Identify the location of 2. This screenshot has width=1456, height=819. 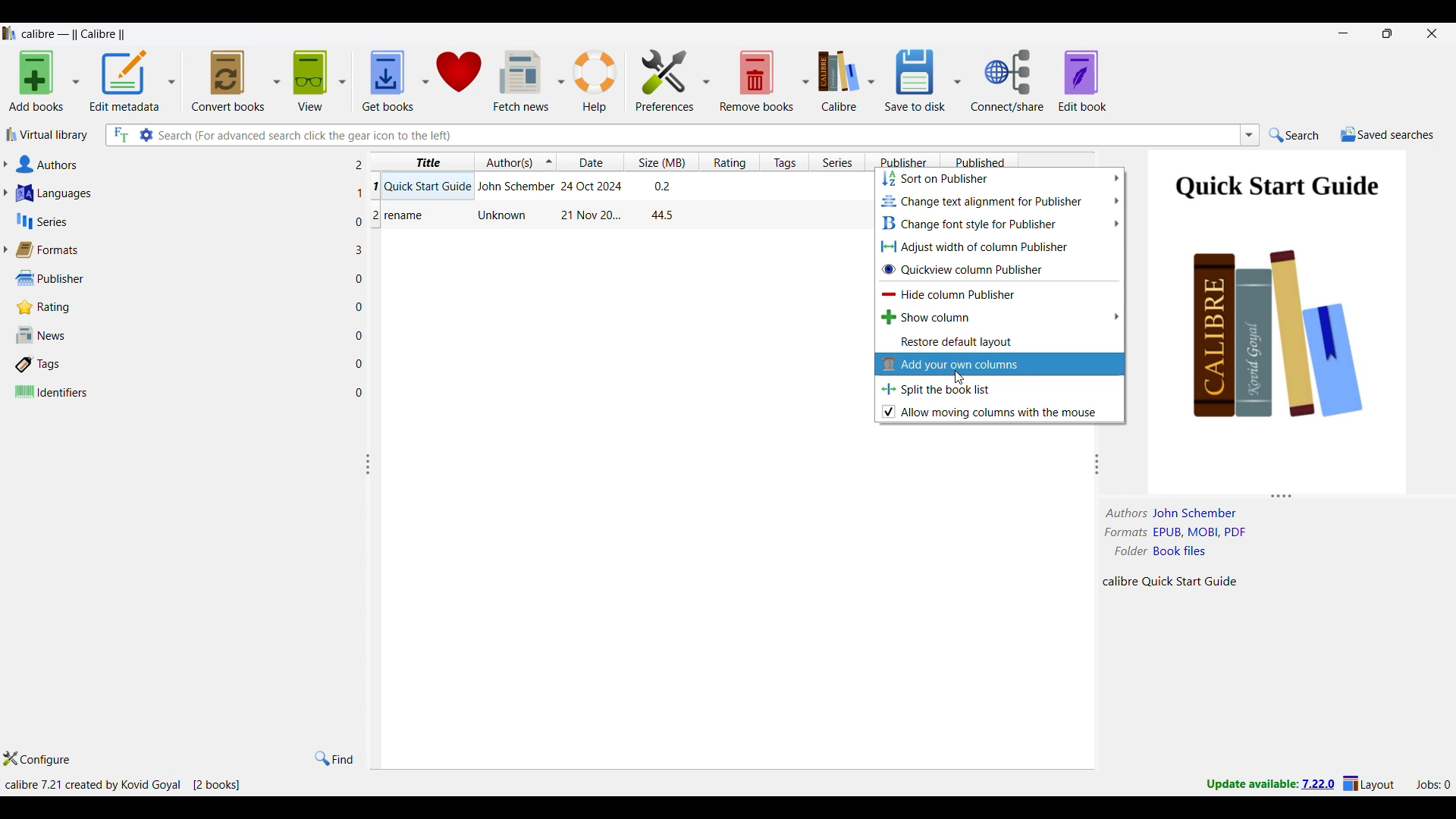
(362, 165).